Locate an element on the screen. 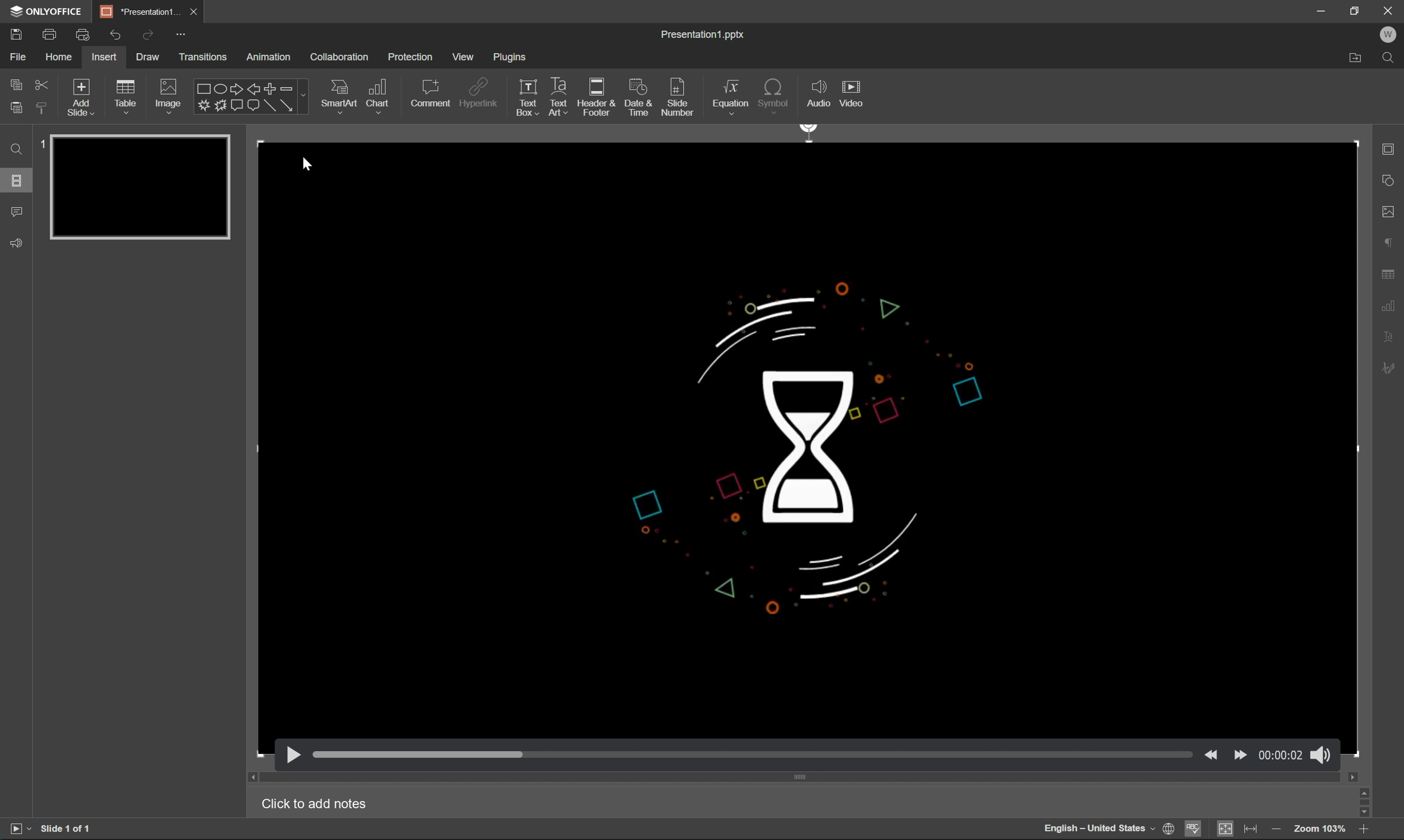 This screenshot has height=840, width=1404. paragraph settings is located at coordinates (1389, 239).